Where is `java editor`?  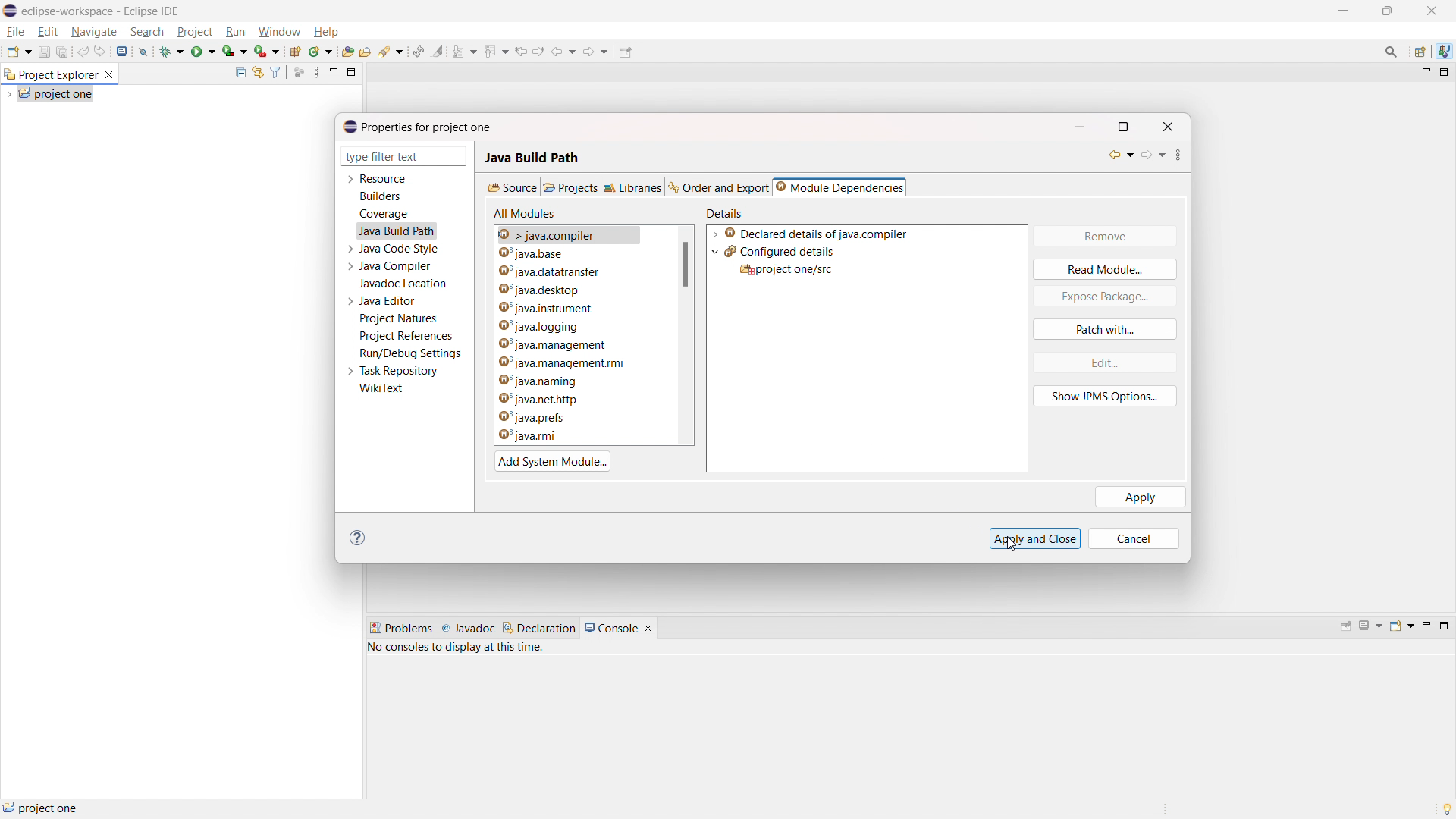 java editor is located at coordinates (388, 301).